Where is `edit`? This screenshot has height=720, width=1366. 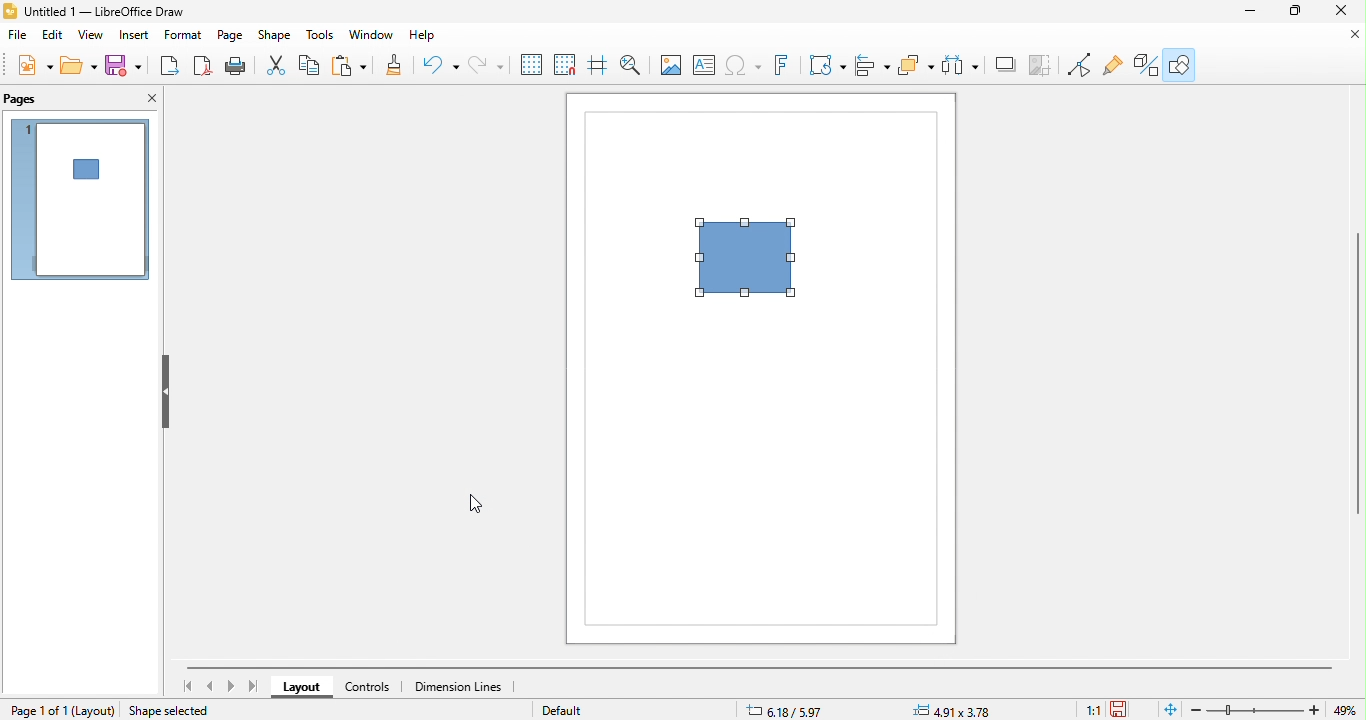 edit is located at coordinates (52, 35).